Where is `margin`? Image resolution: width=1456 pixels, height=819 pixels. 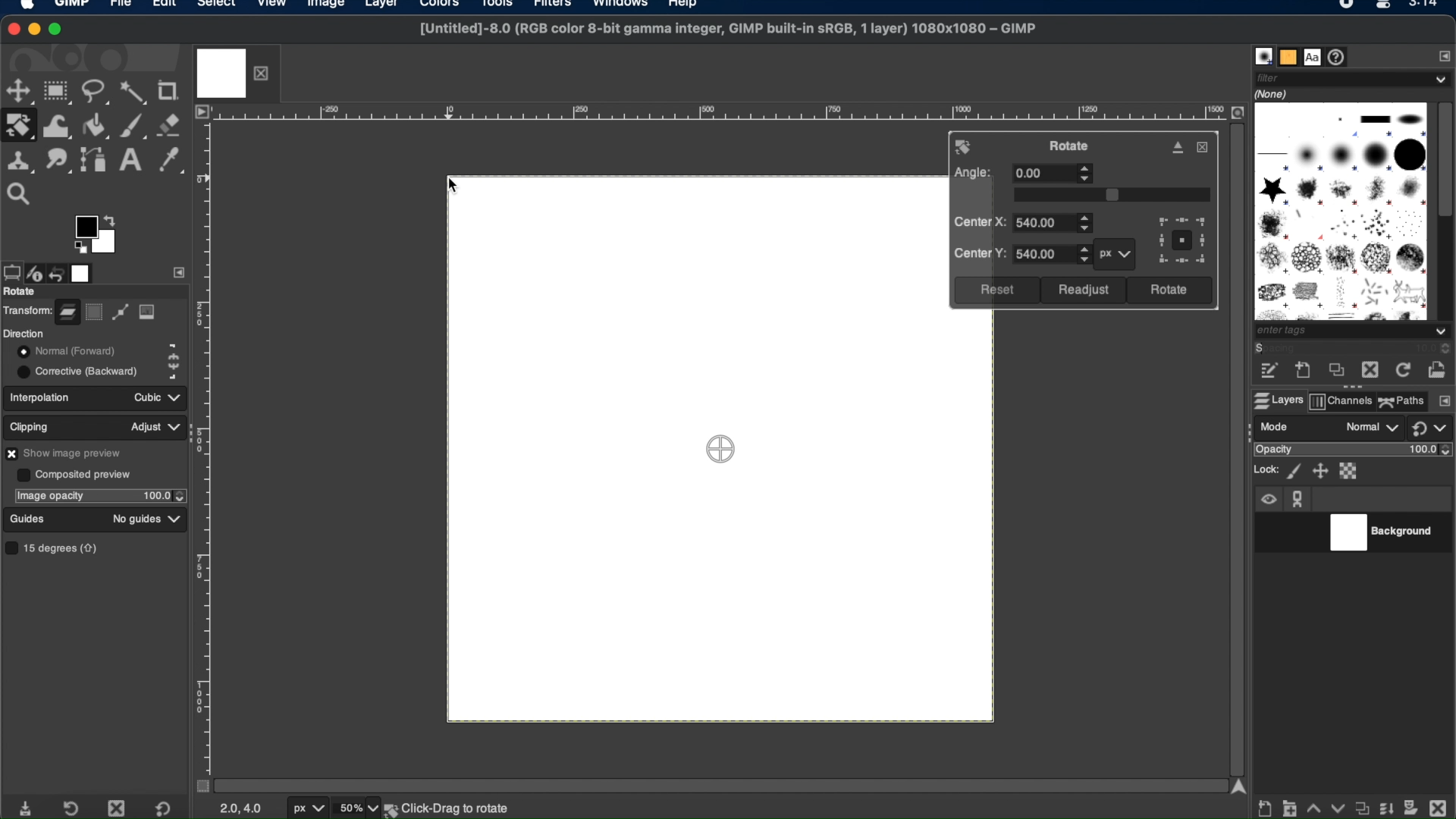 margin is located at coordinates (720, 114).